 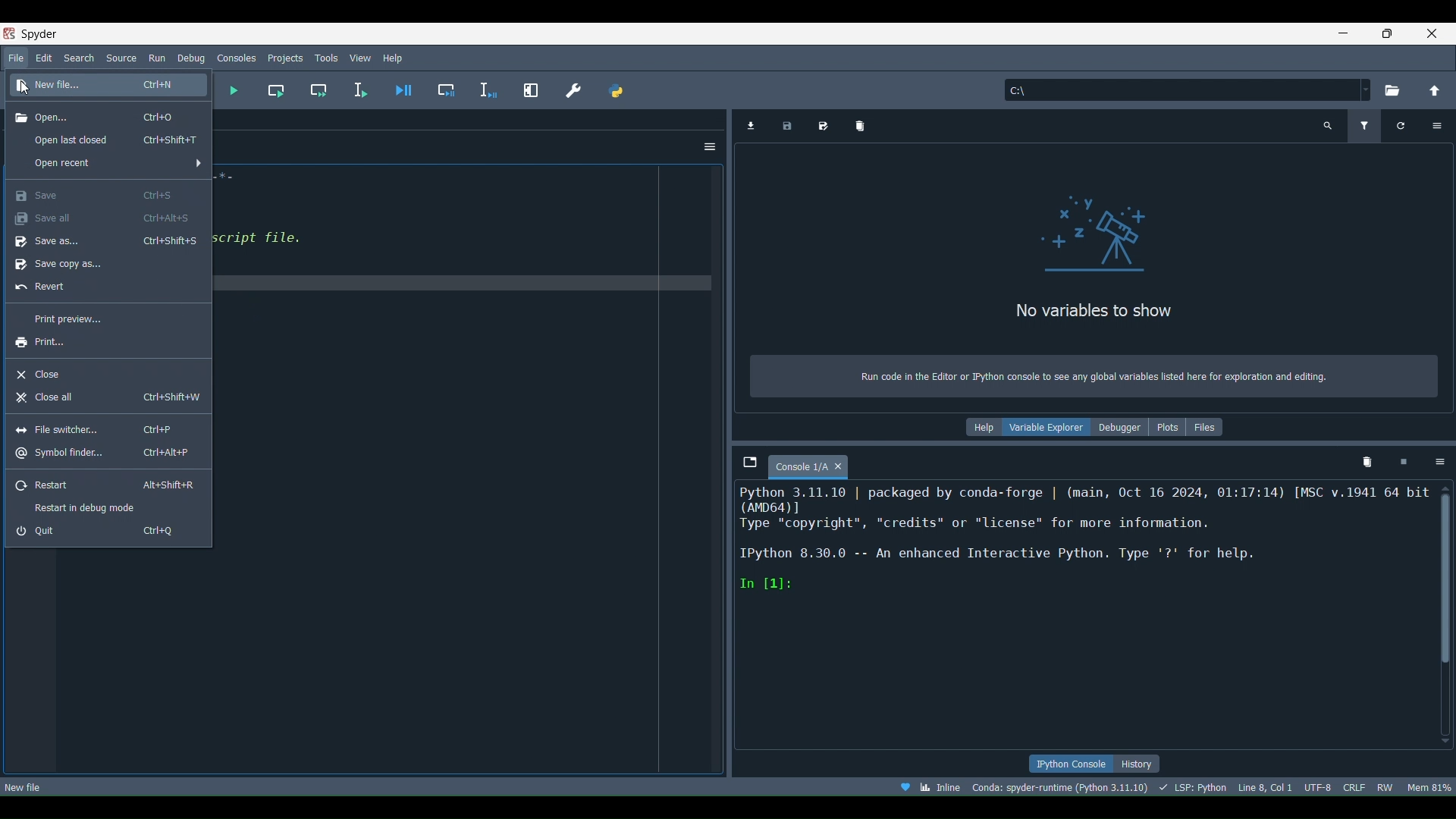 I want to click on Print, so click(x=39, y=341).